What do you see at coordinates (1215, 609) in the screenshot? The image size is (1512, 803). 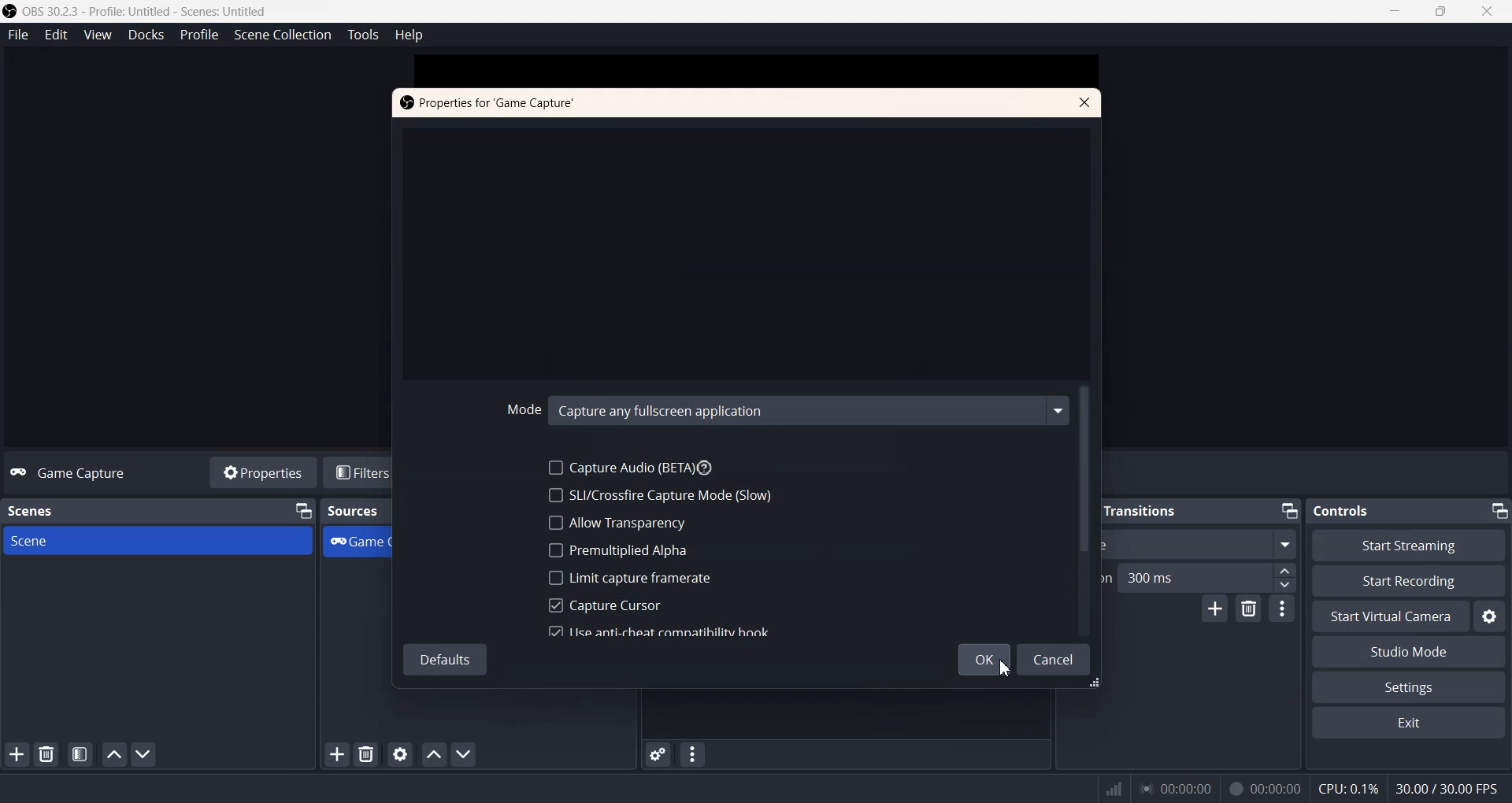 I see `Add configurable Transistion` at bounding box center [1215, 609].